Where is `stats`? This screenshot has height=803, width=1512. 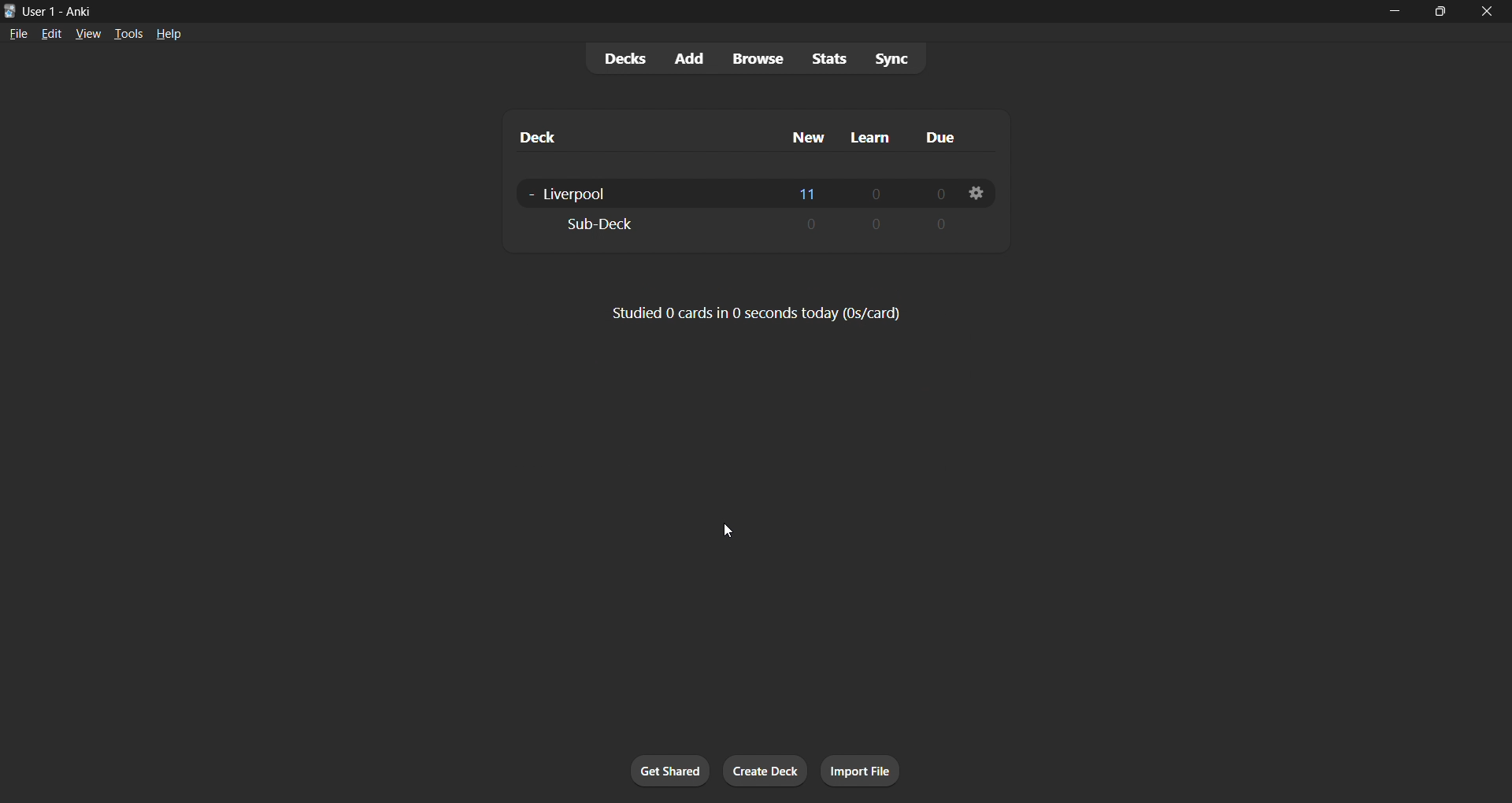 stats is located at coordinates (824, 58).